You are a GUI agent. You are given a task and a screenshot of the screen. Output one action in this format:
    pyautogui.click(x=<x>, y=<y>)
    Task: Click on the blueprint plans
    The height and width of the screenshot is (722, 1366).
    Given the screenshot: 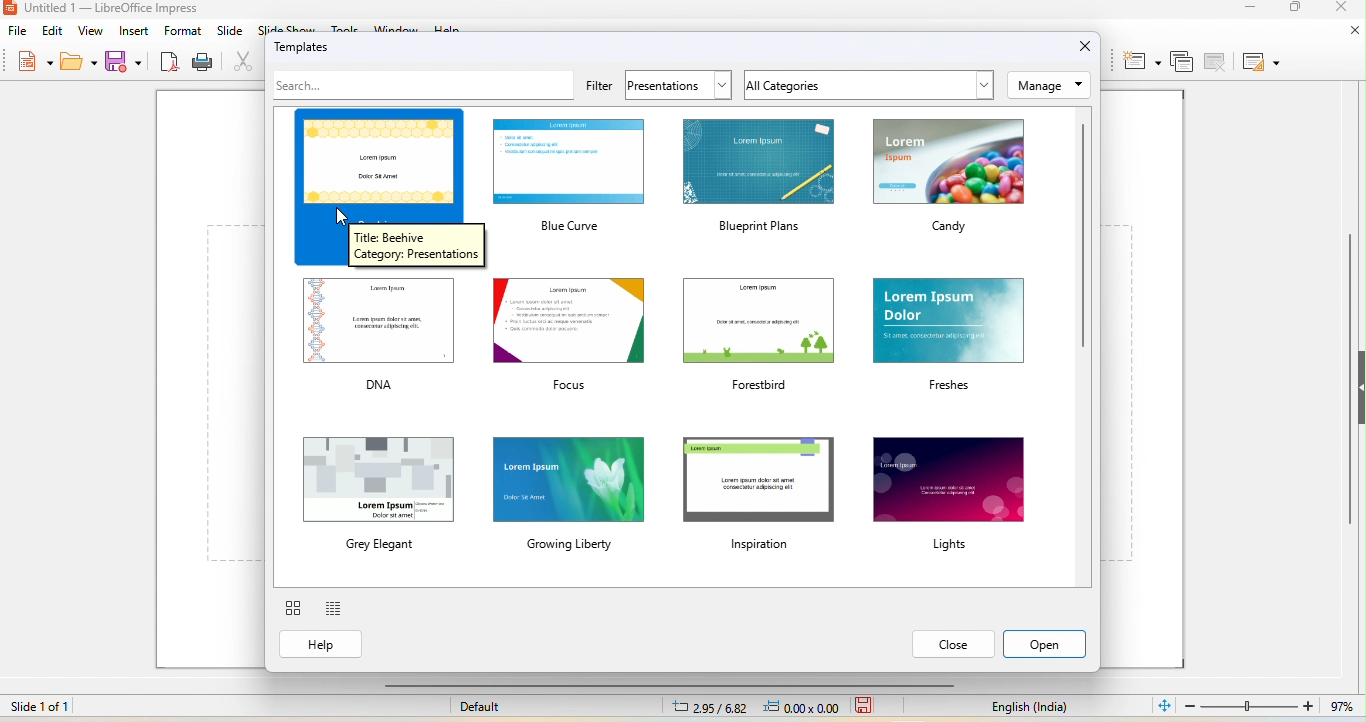 What is the action you would take?
    pyautogui.click(x=759, y=179)
    